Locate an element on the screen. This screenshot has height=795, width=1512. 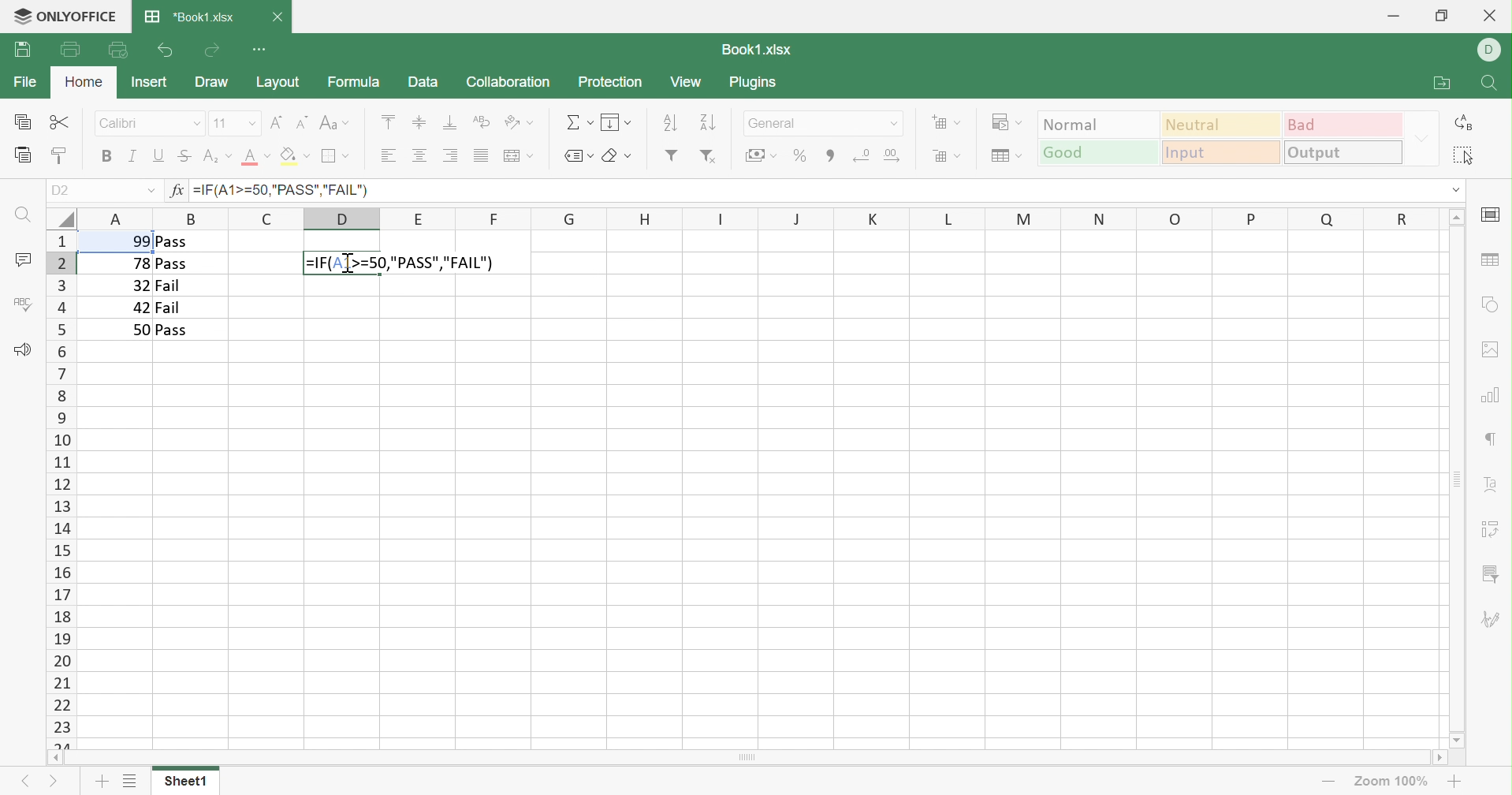
Decrease decimal is located at coordinates (861, 155).